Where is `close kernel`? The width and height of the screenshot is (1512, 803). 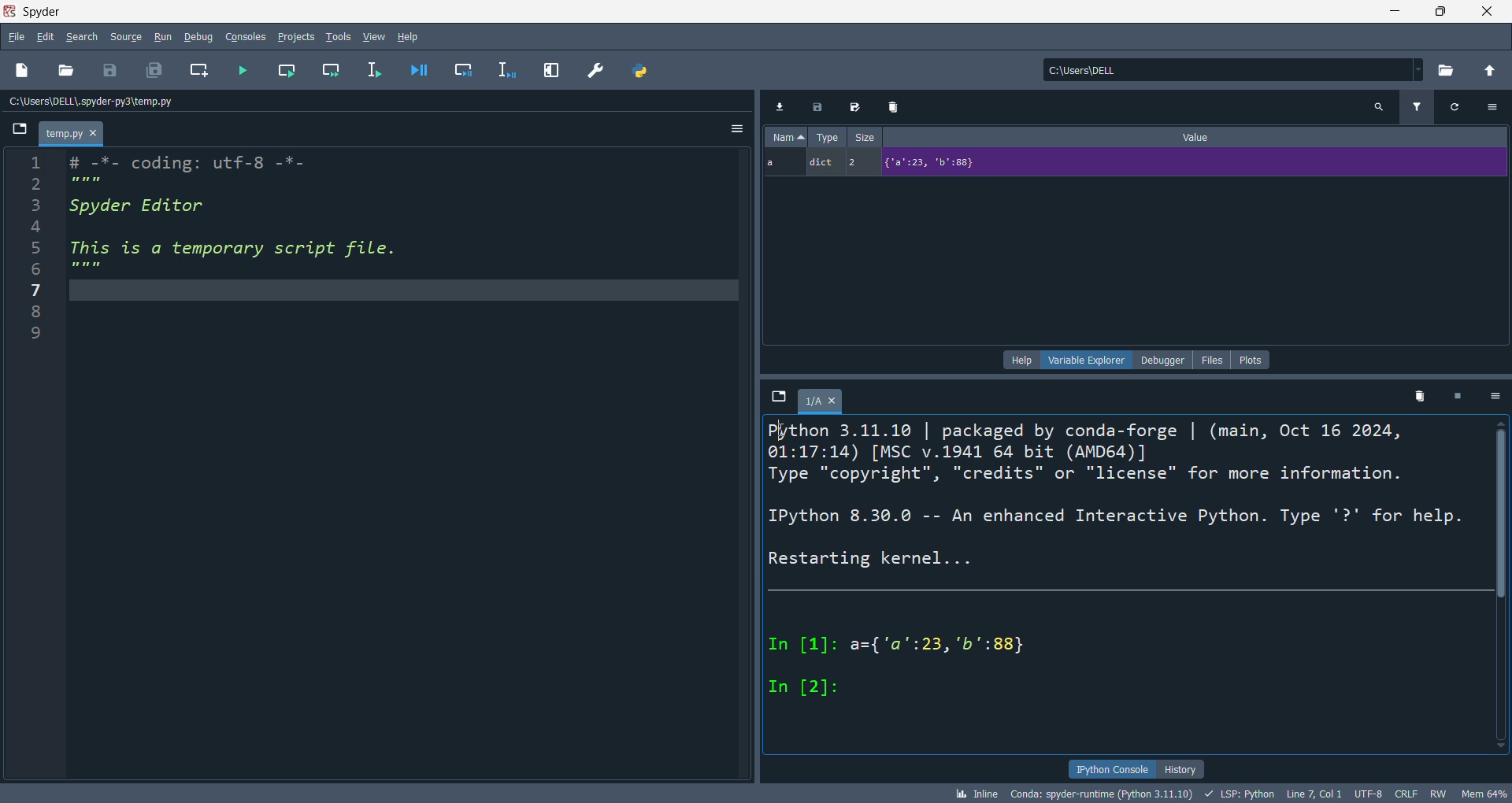 close kernel is located at coordinates (1462, 395).